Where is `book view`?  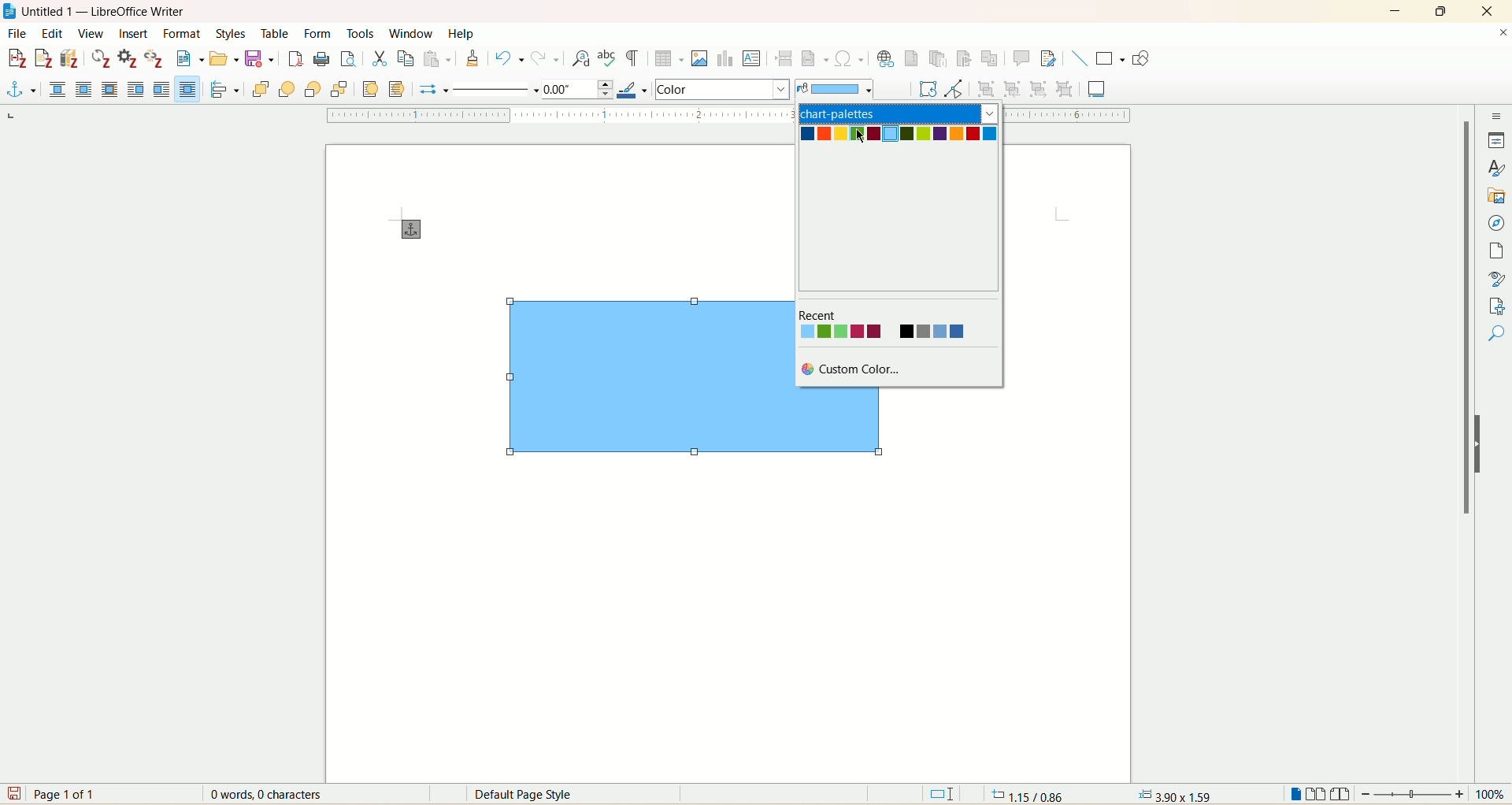
book view is located at coordinates (1343, 796).